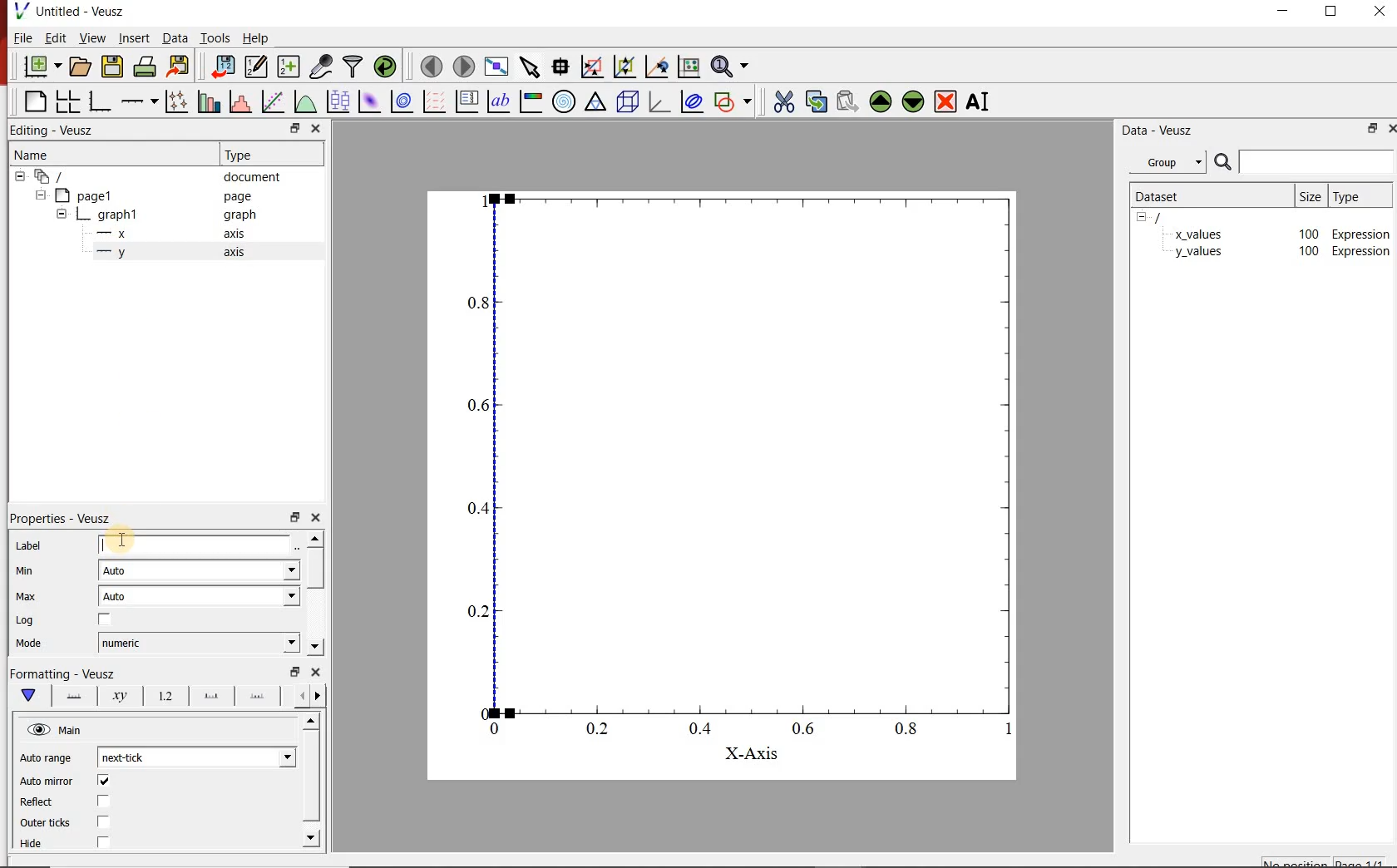  What do you see at coordinates (175, 102) in the screenshot?
I see `plot points` at bounding box center [175, 102].